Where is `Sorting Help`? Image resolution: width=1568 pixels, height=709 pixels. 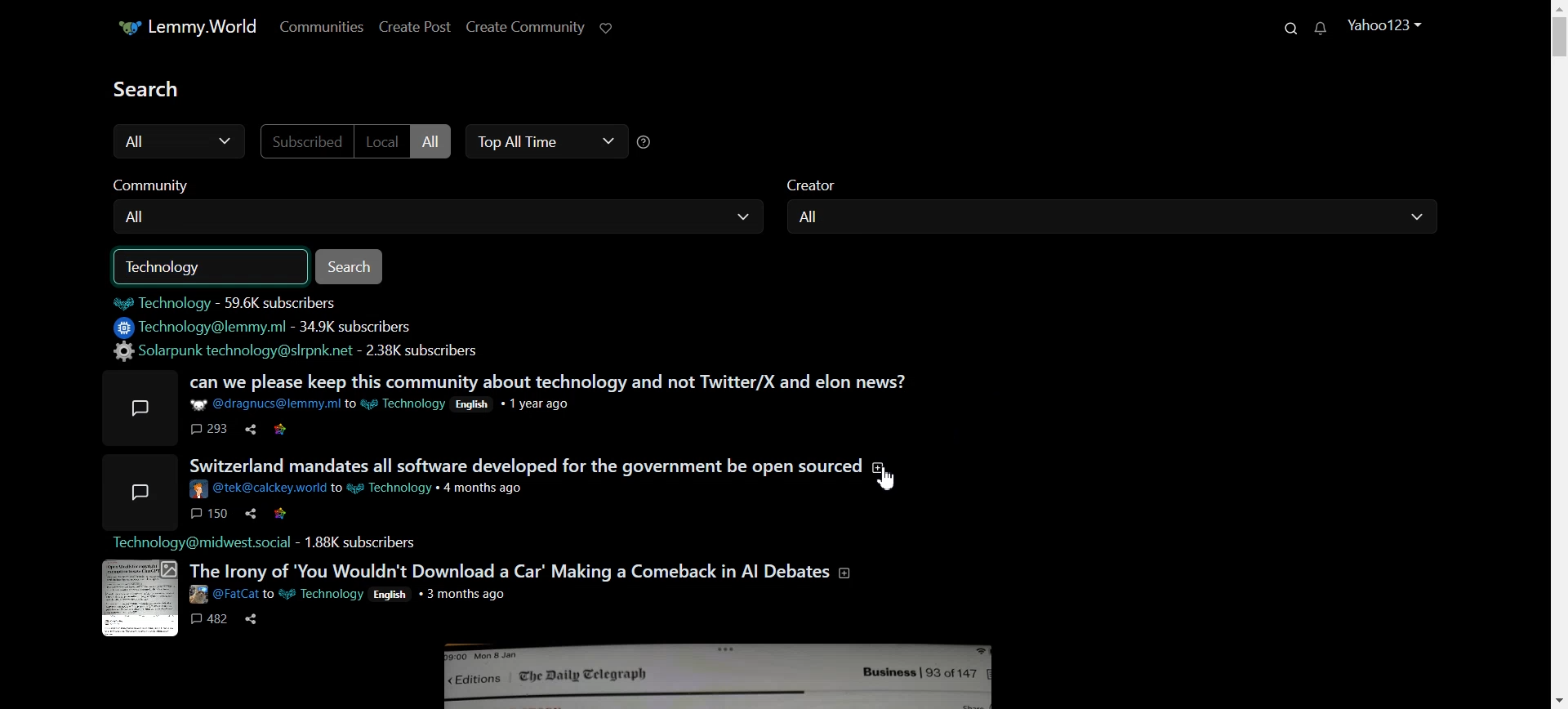
Sorting Help is located at coordinates (647, 141).